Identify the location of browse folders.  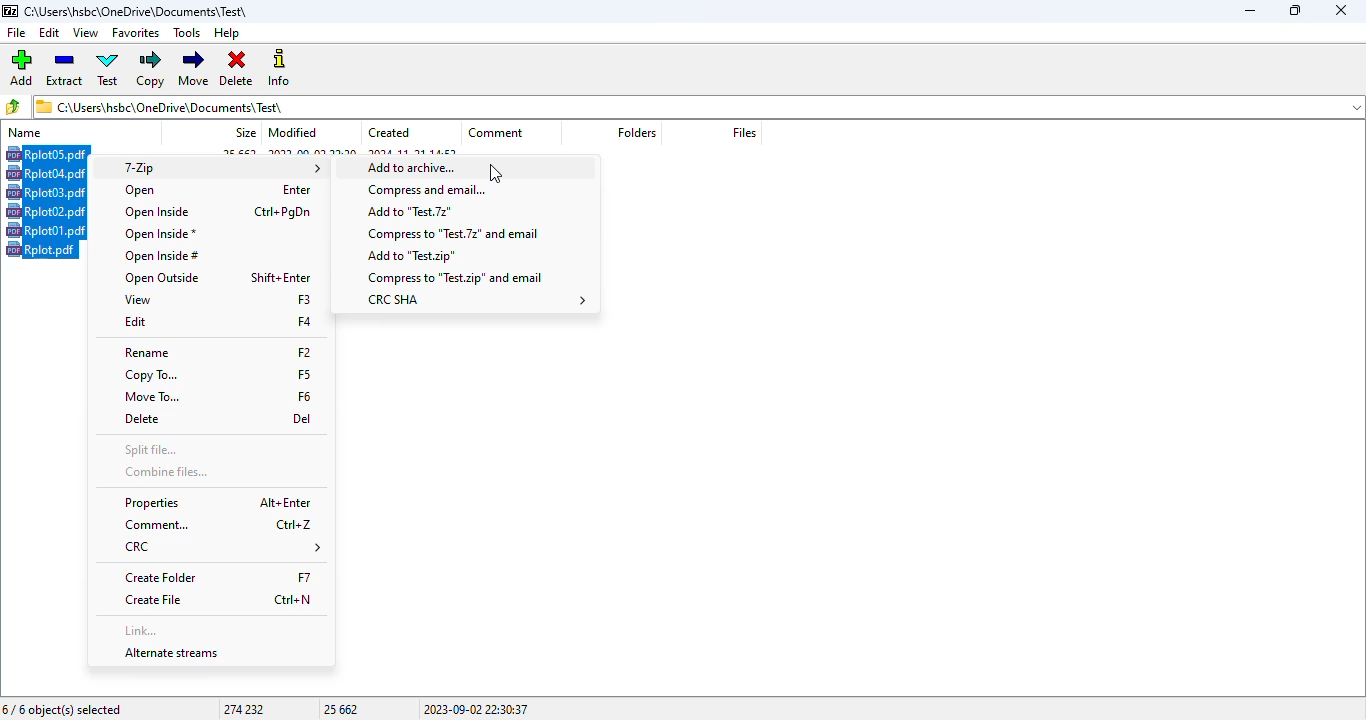
(15, 106).